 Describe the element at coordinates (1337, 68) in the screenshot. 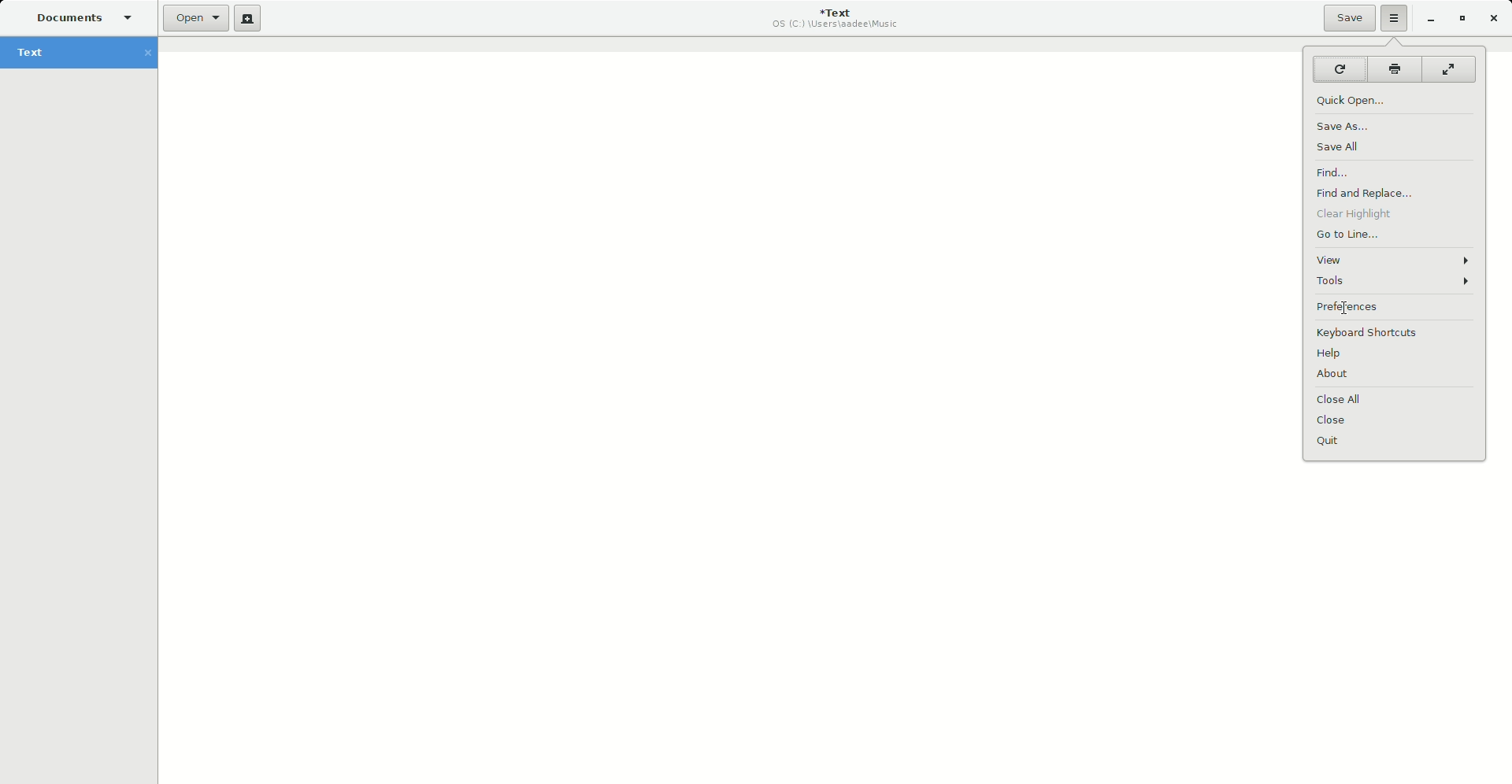

I see `Reload` at that location.